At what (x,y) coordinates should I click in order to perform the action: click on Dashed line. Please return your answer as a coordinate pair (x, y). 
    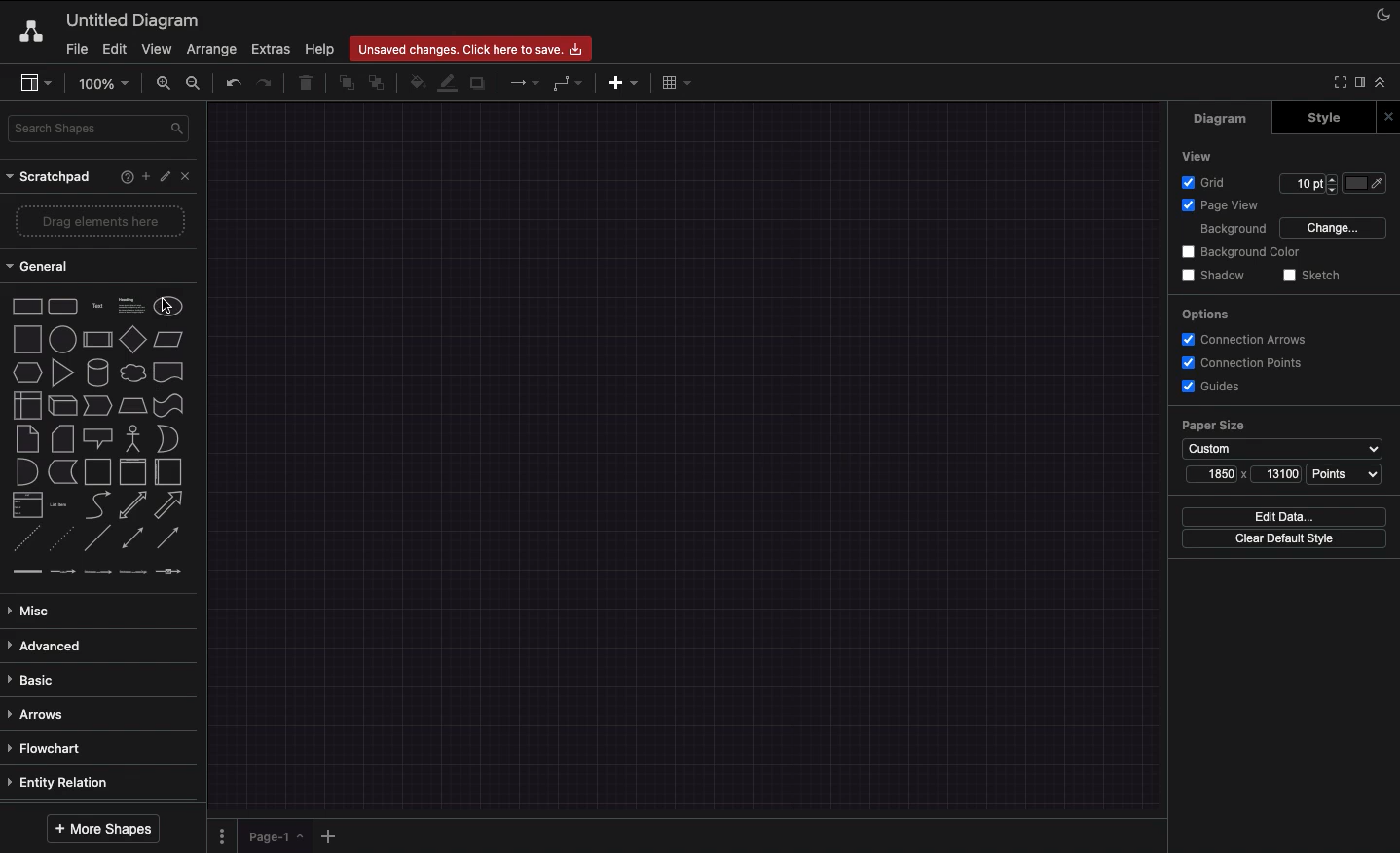
    Looking at the image, I should click on (23, 541).